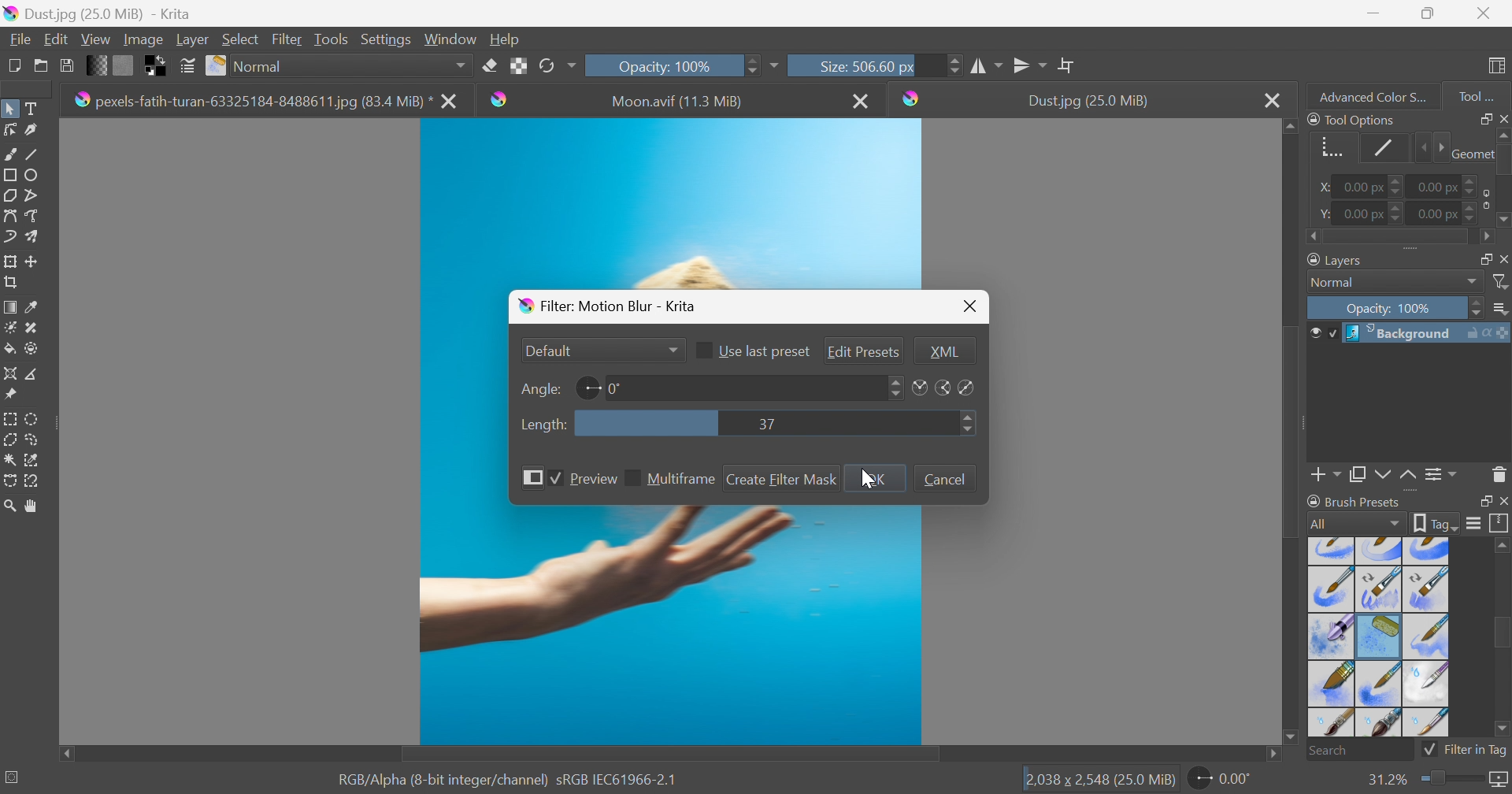 This screenshot has width=1512, height=794. I want to click on Choose workspace, so click(1499, 66).